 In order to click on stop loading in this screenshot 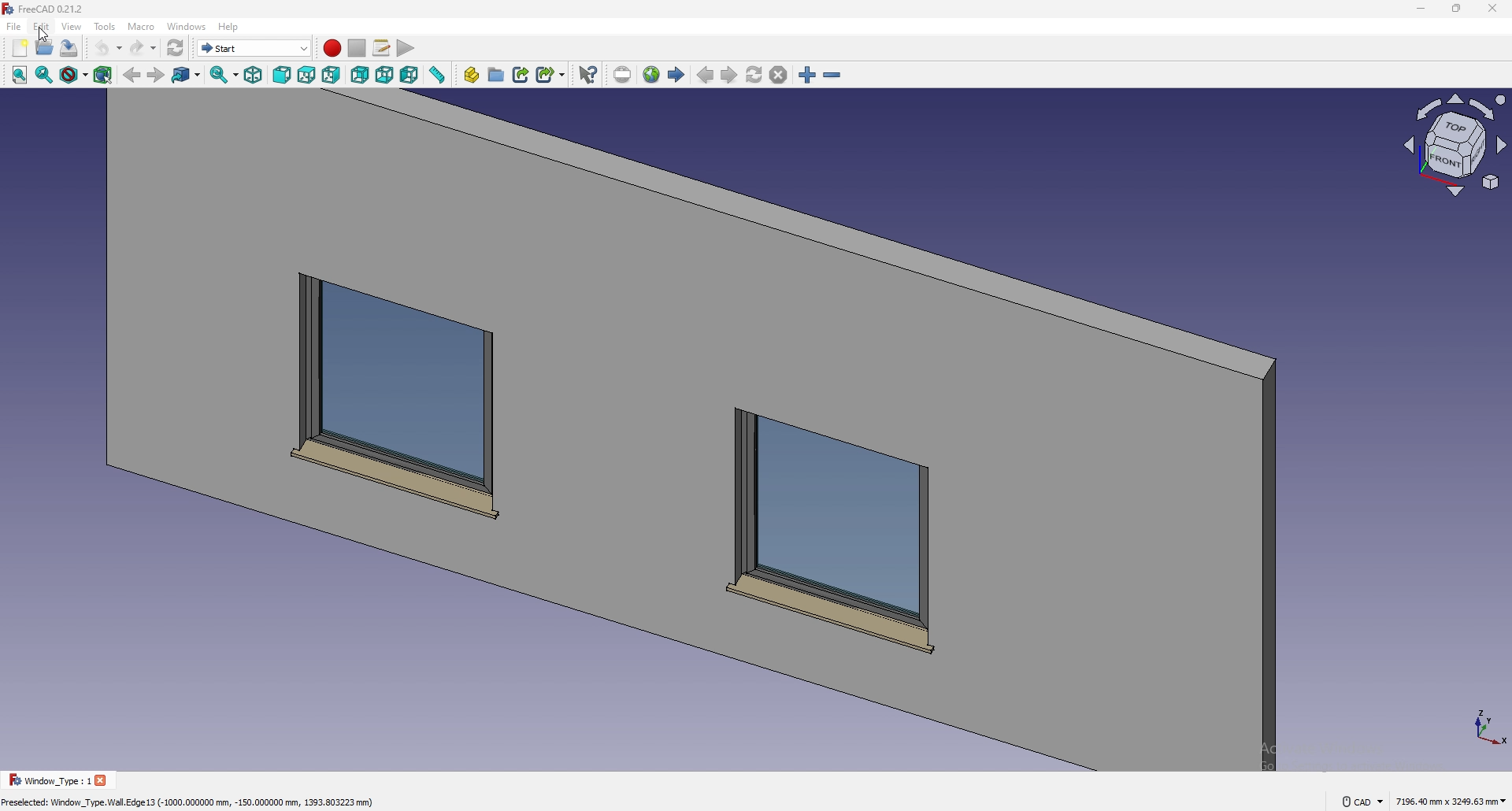, I will do `click(779, 76)`.